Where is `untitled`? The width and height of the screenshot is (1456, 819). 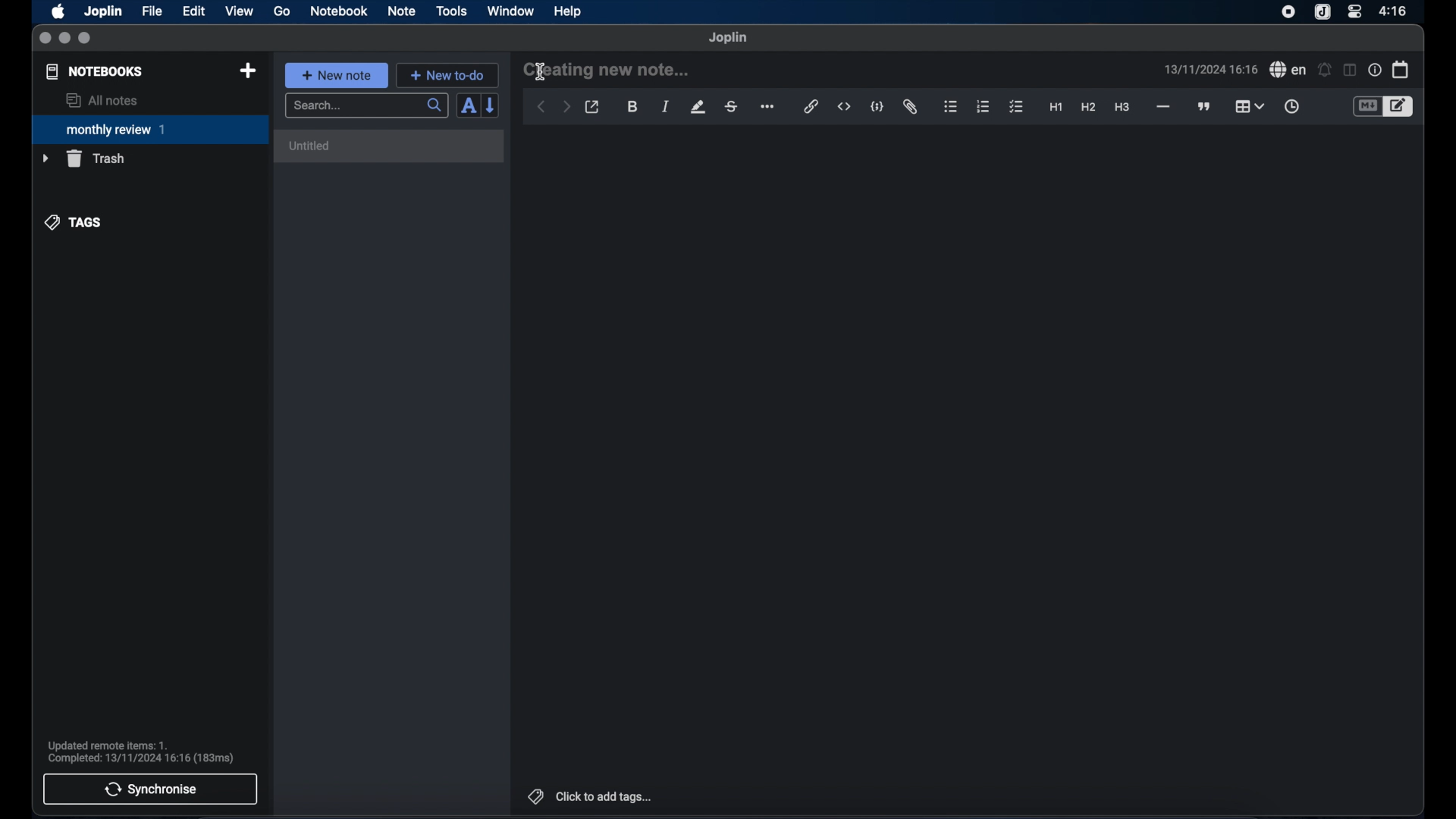 untitled is located at coordinates (312, 146).